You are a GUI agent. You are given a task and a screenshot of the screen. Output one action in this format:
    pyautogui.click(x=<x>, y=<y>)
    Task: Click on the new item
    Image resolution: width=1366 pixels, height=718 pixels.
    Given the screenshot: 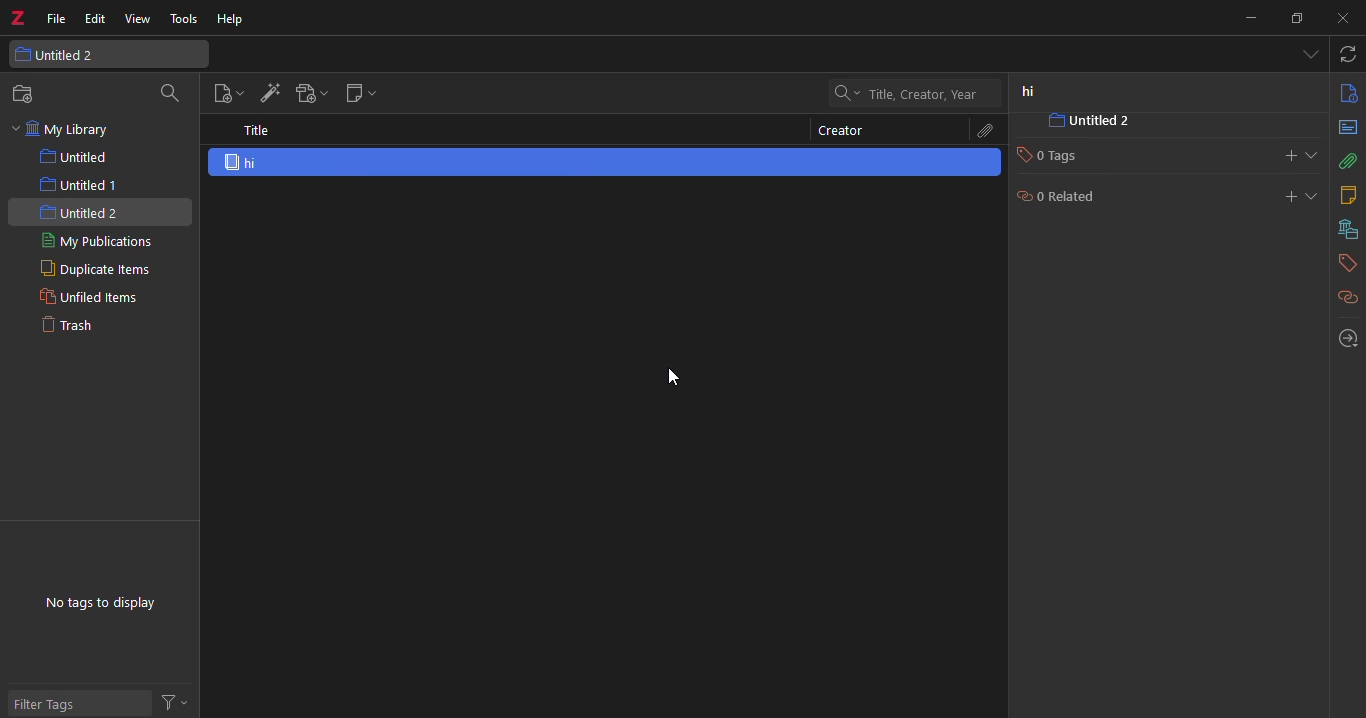 What is the action you would take?
    pyautogui.click(x=225, y=95)
    